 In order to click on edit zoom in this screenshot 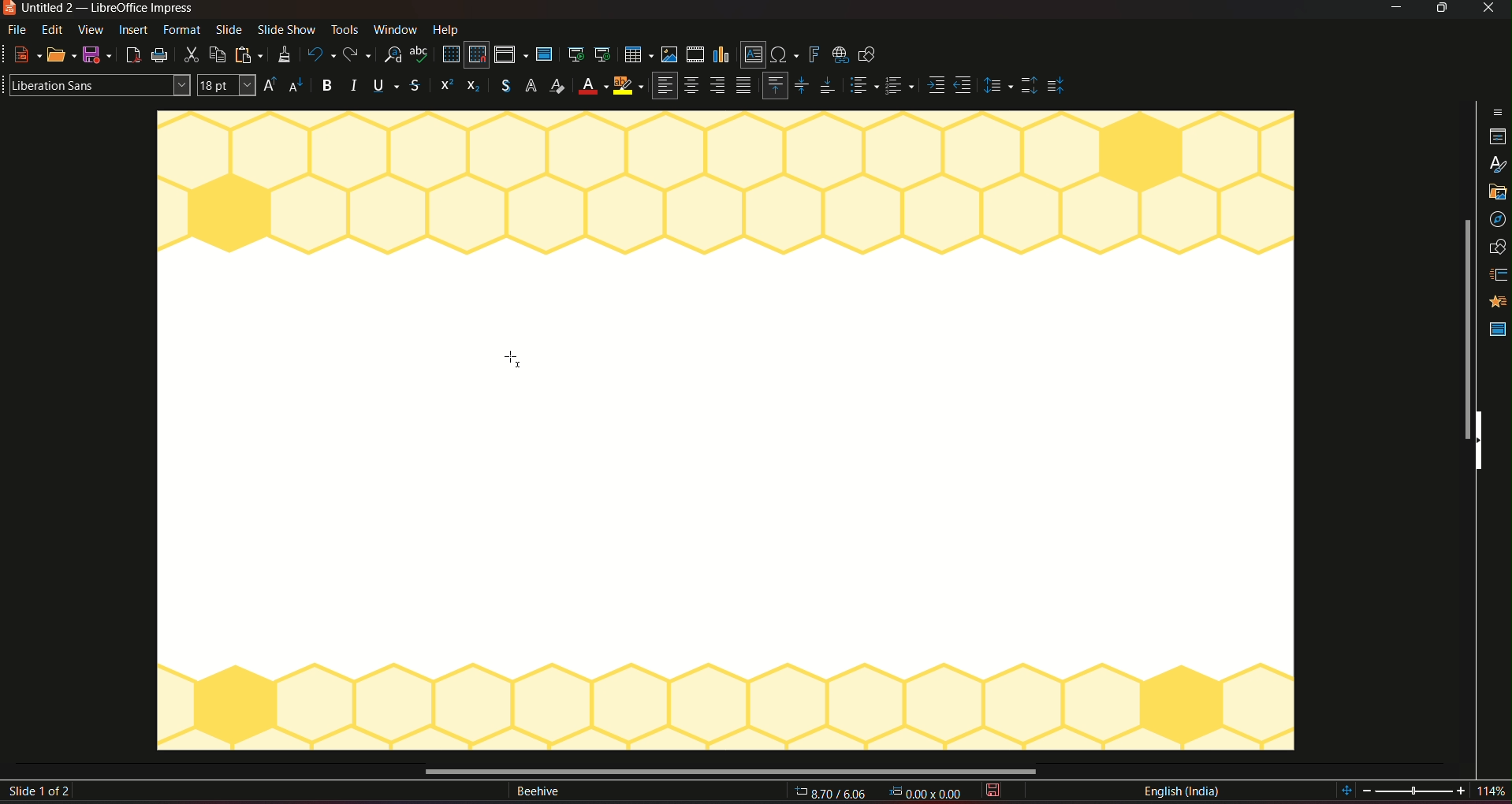, I will do `click(1416, 791)`.